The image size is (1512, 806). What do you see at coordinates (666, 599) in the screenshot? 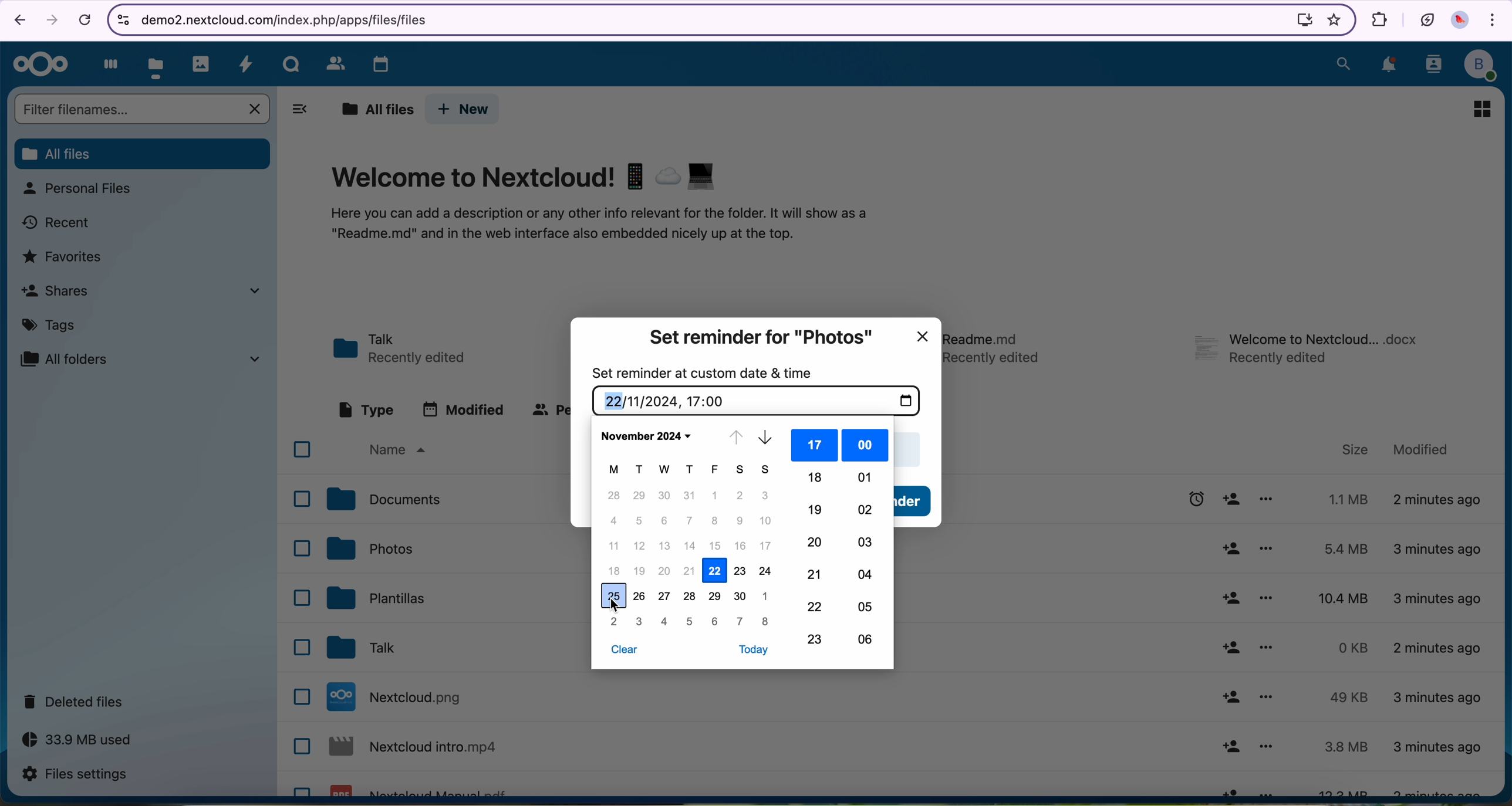
I see `27` at bounding box center [666, 599].